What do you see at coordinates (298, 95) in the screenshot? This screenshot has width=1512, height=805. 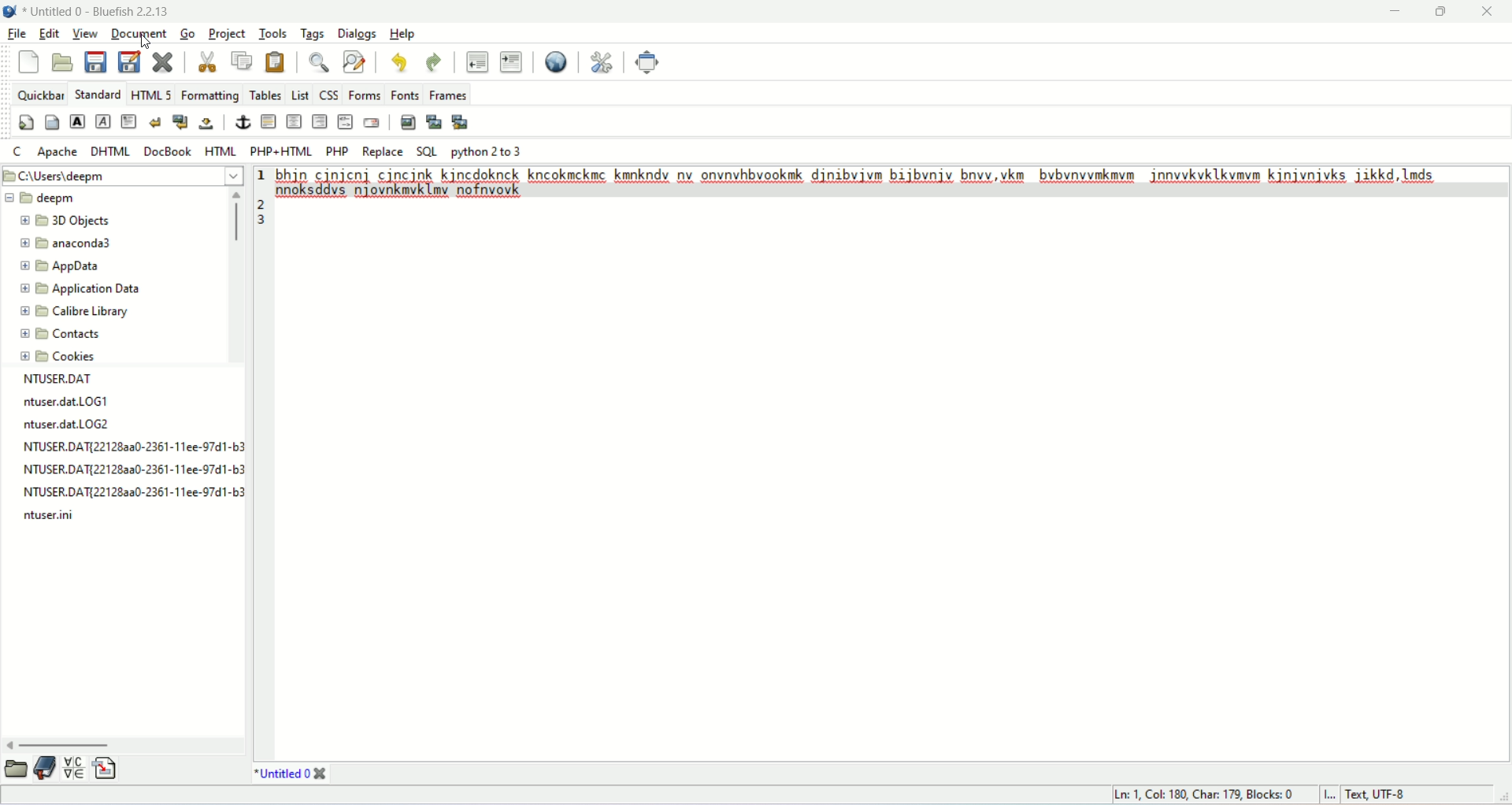 I see `list` at bounding box center [298, 95].